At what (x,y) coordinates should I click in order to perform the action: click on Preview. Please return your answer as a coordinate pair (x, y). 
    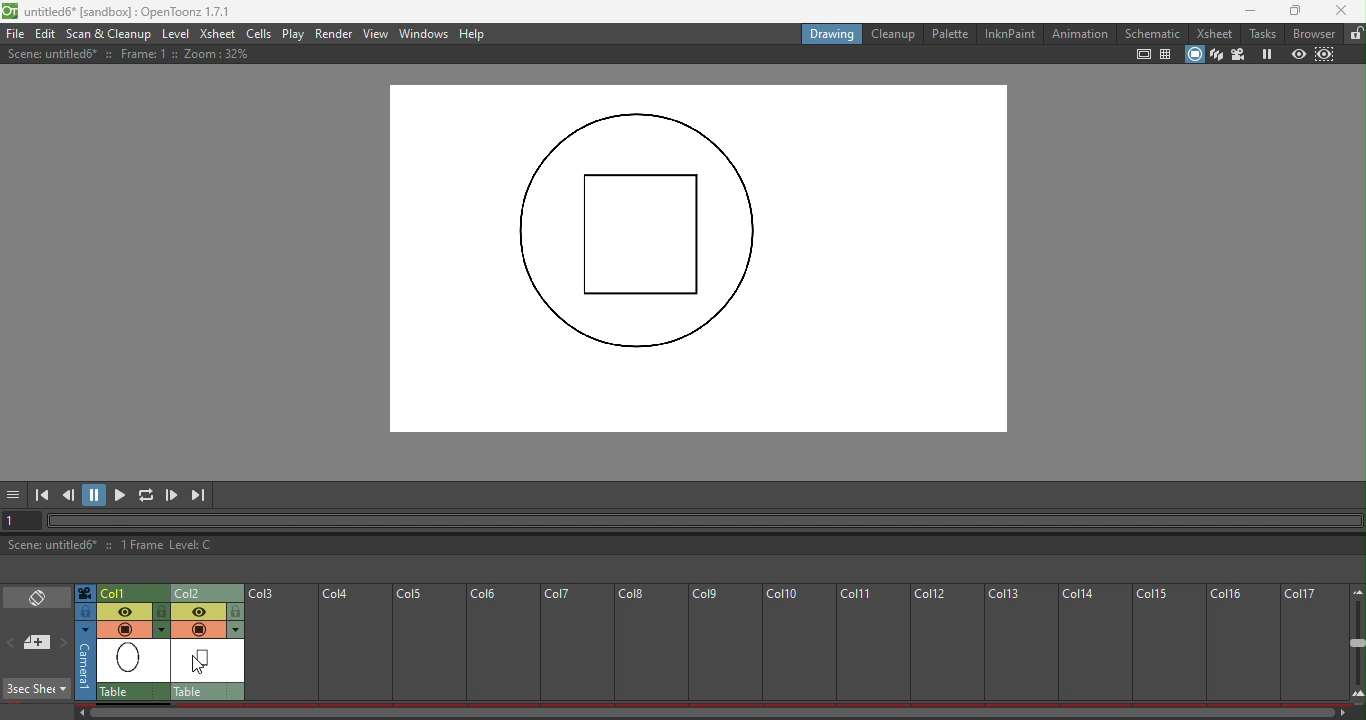
    Looking at the image, I should click on (1298, 55).